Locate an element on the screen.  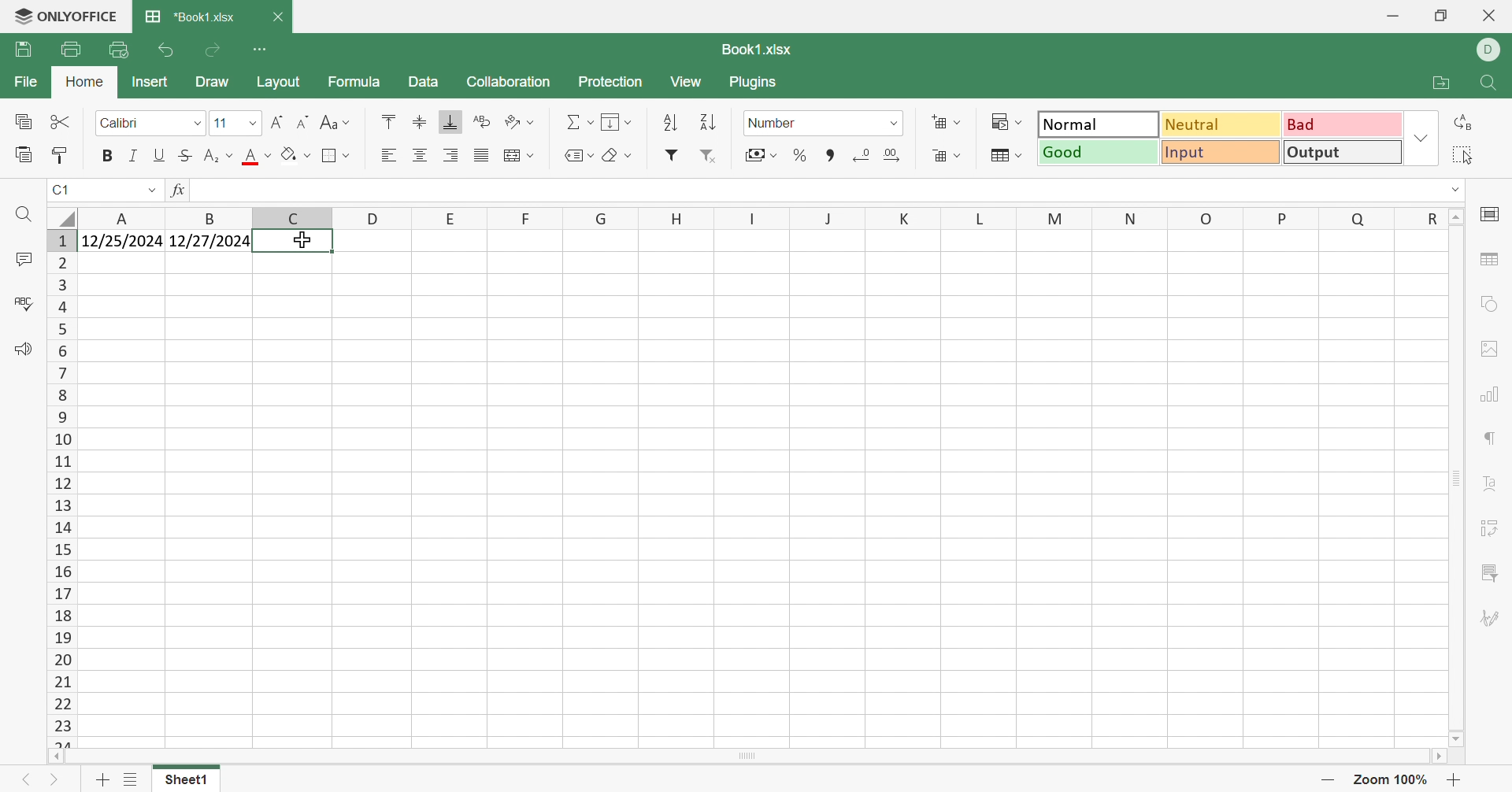
Align Bottom is located at coordinates (450, 123).